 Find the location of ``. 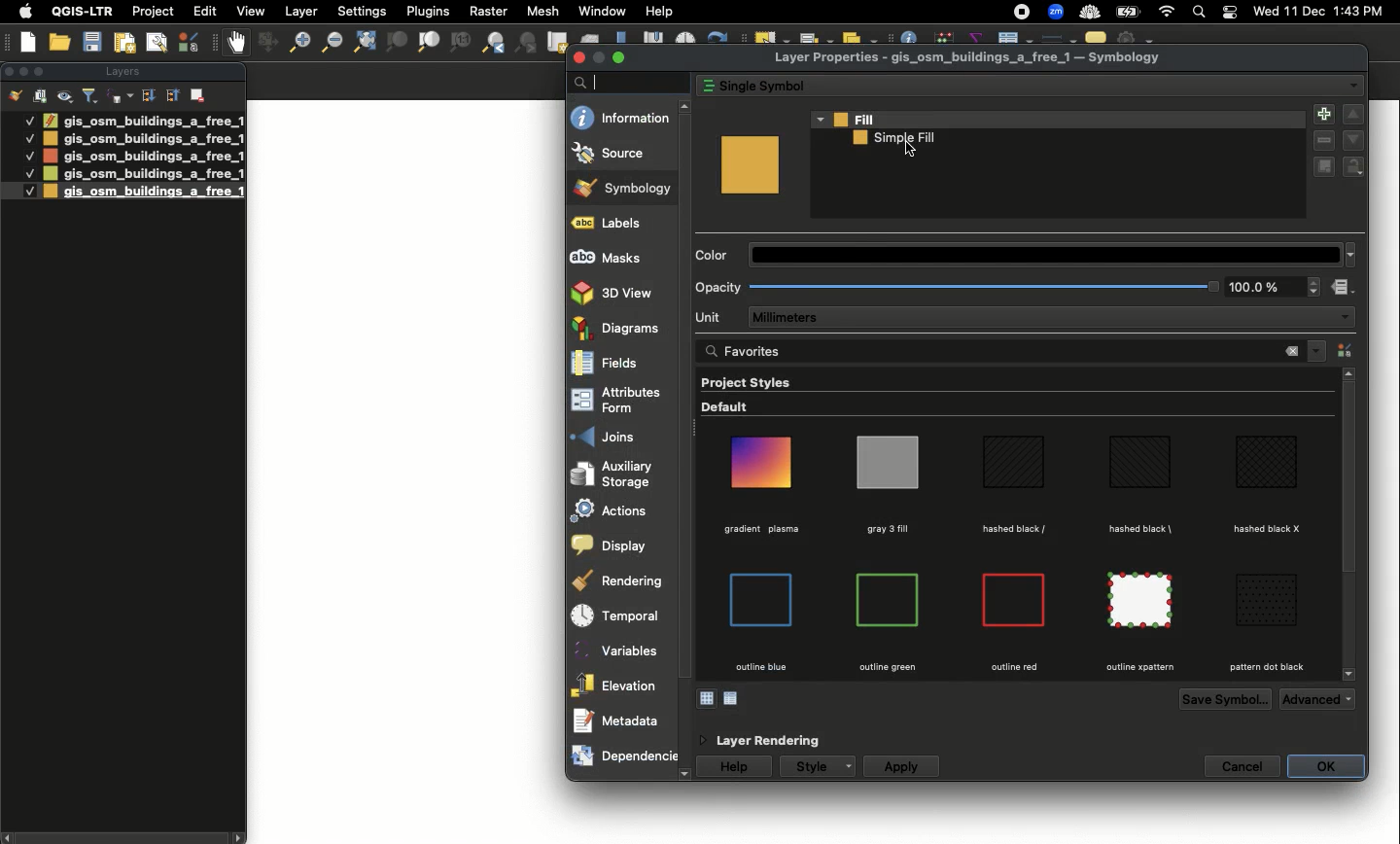

 is located at coordinates (217, 42).